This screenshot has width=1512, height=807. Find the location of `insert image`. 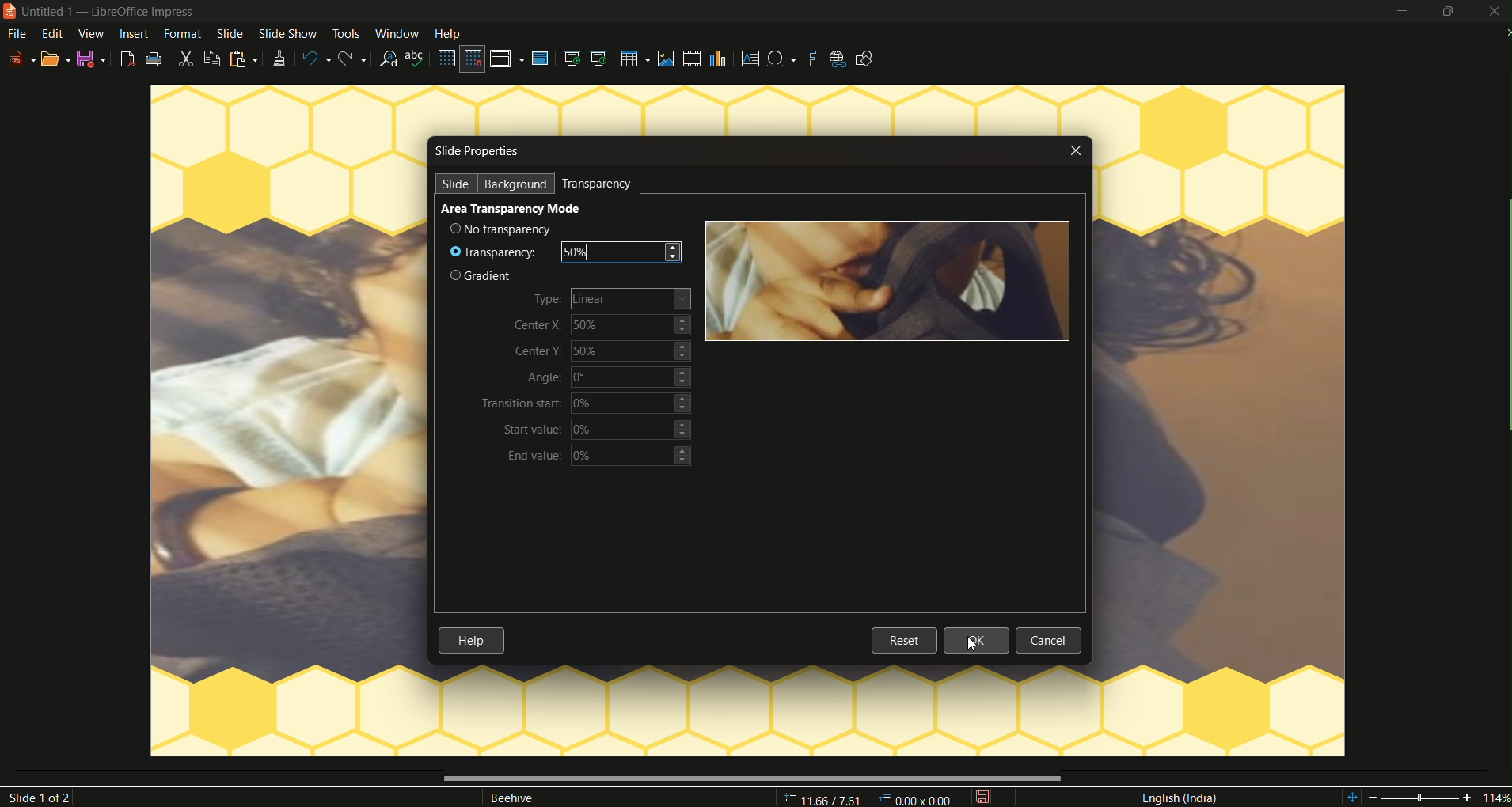

insert image is located at coordinates (666, 60).